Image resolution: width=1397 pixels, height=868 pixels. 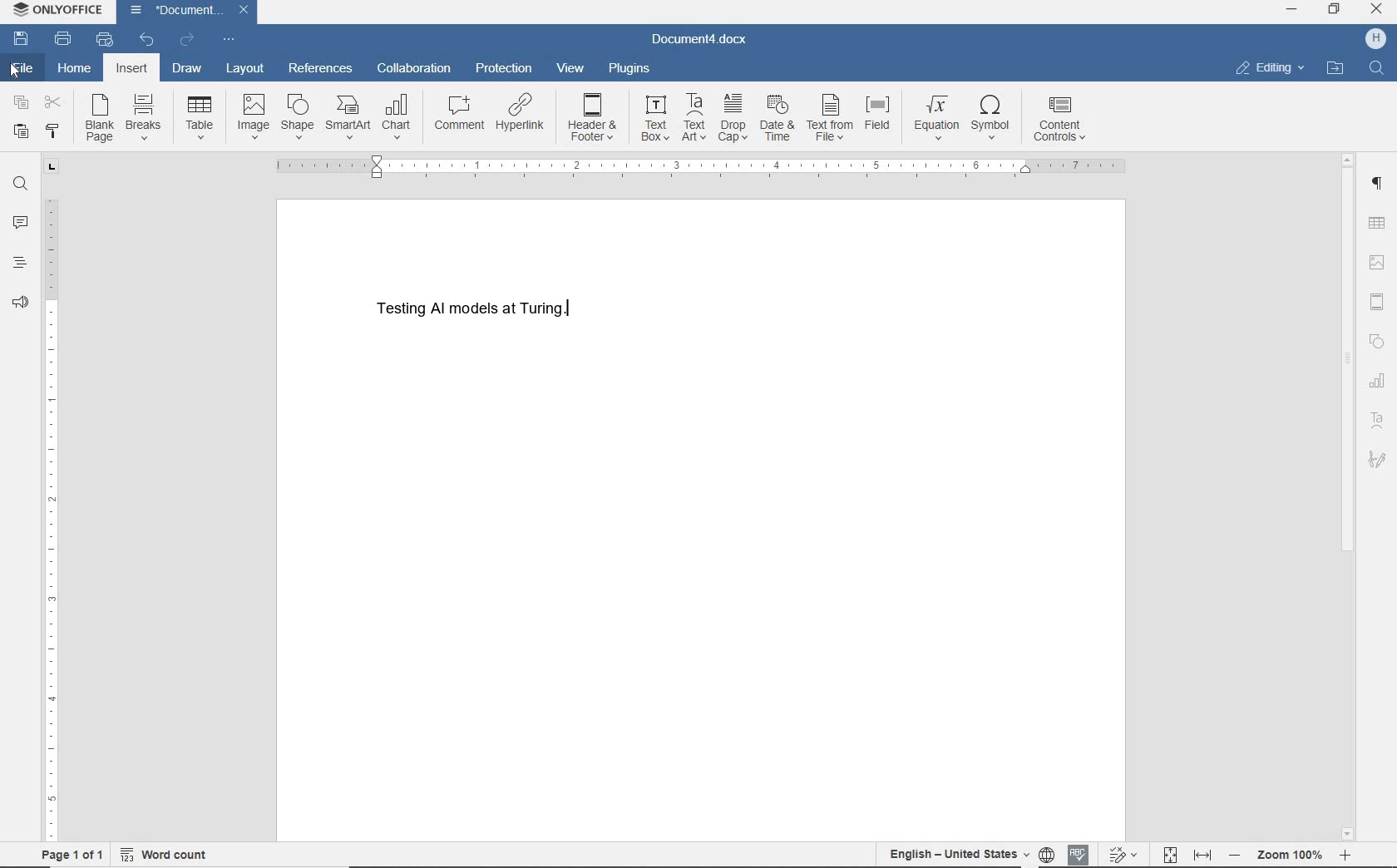 What do you see at coordinates (1380, 262) in the screenshot?
I see `image` at bounding box center [1380, 262].